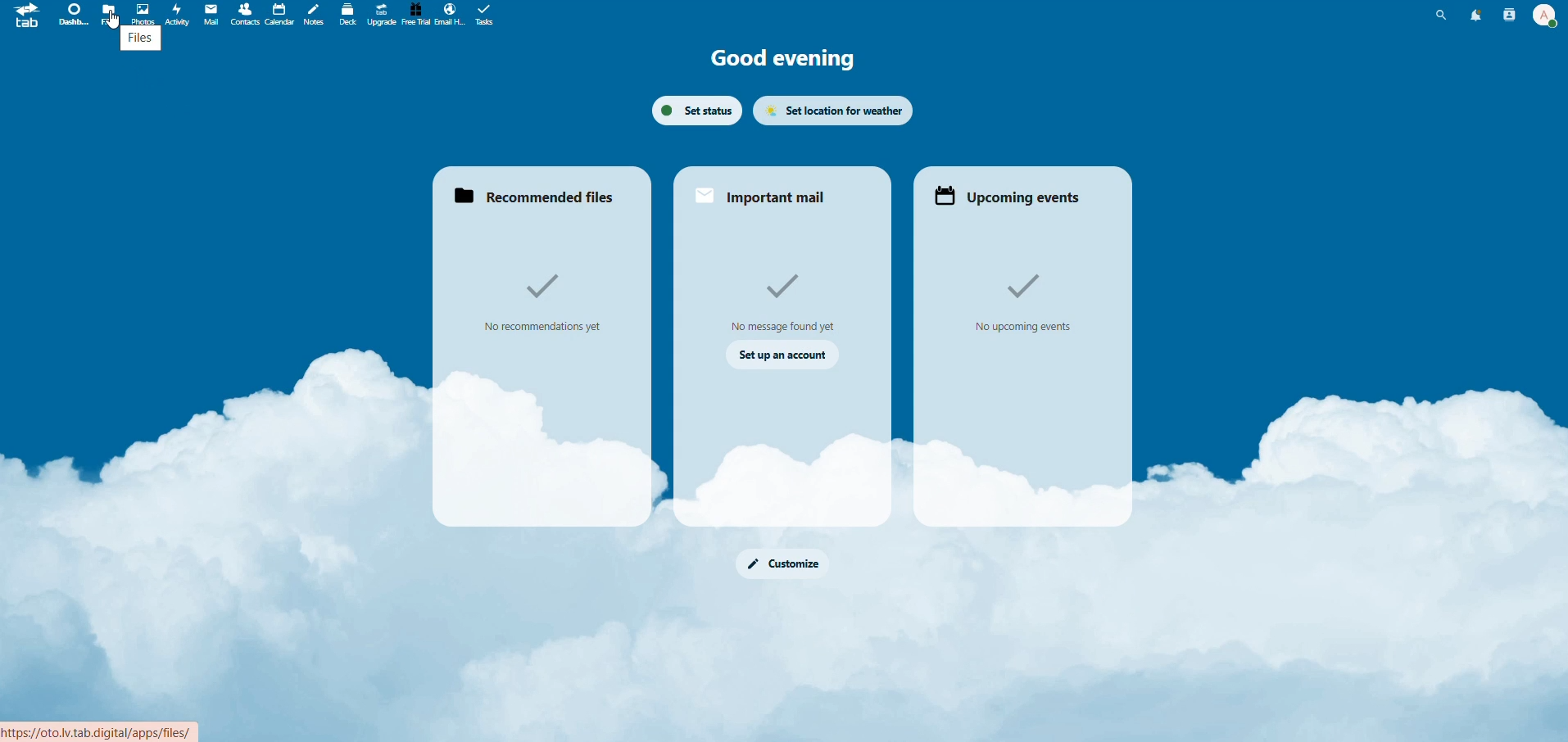  I want to click on Contacts, so click(1507, 16).